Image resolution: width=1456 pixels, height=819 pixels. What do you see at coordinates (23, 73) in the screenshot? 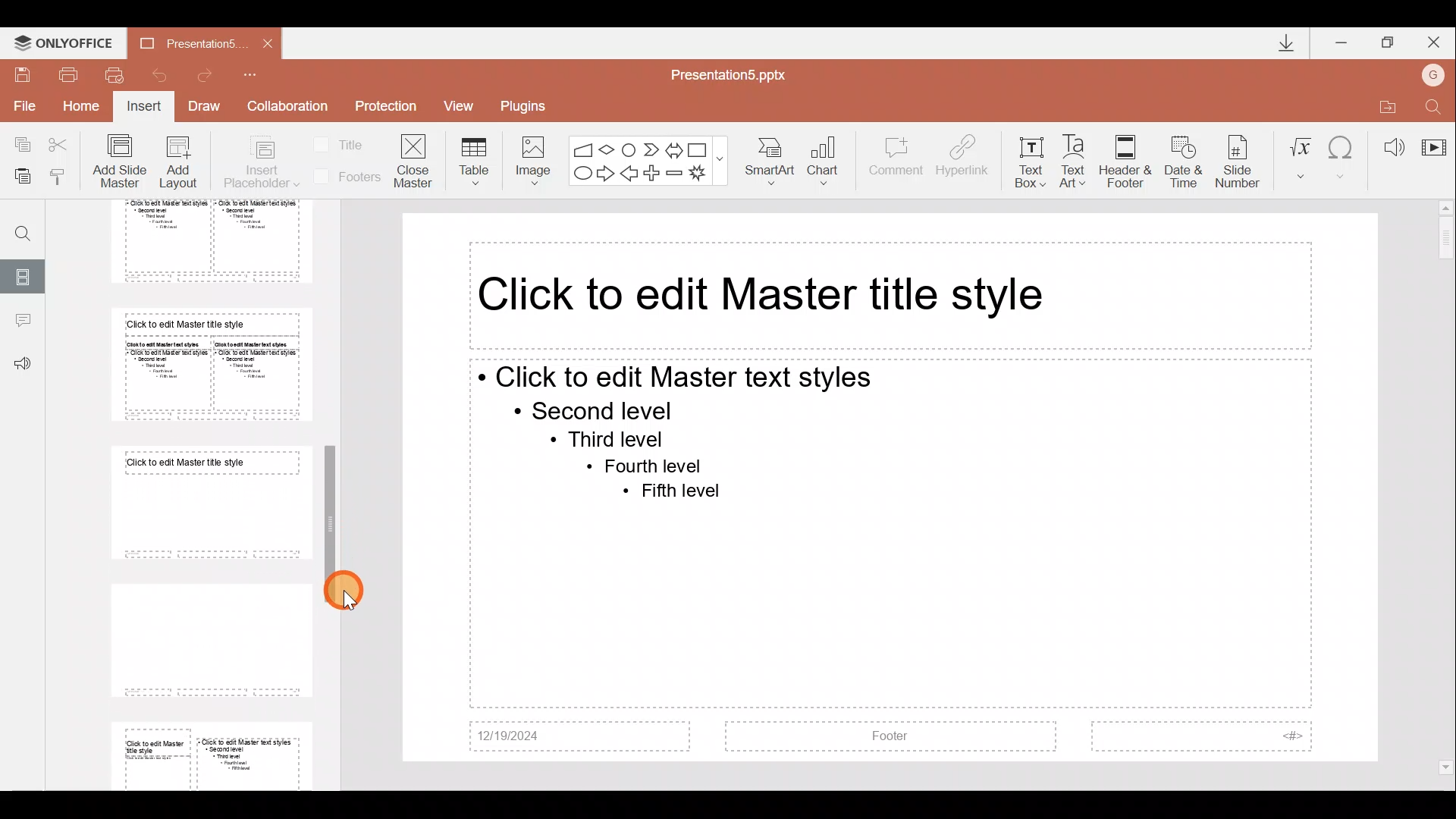
I see `Save` at bounding box center [23, 73].